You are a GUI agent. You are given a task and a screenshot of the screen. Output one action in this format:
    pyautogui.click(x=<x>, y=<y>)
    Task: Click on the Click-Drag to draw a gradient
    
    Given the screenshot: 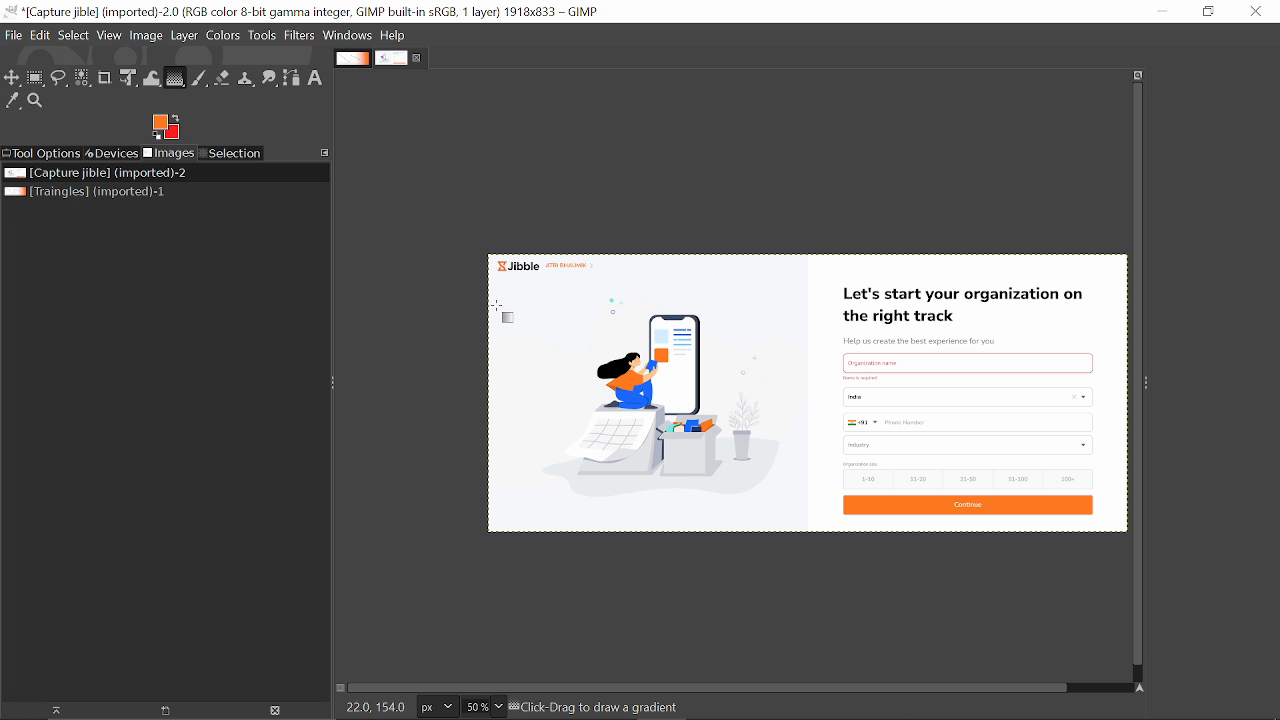 What is the action you would take?
    pyautogui.click(x=609, y=708)
    